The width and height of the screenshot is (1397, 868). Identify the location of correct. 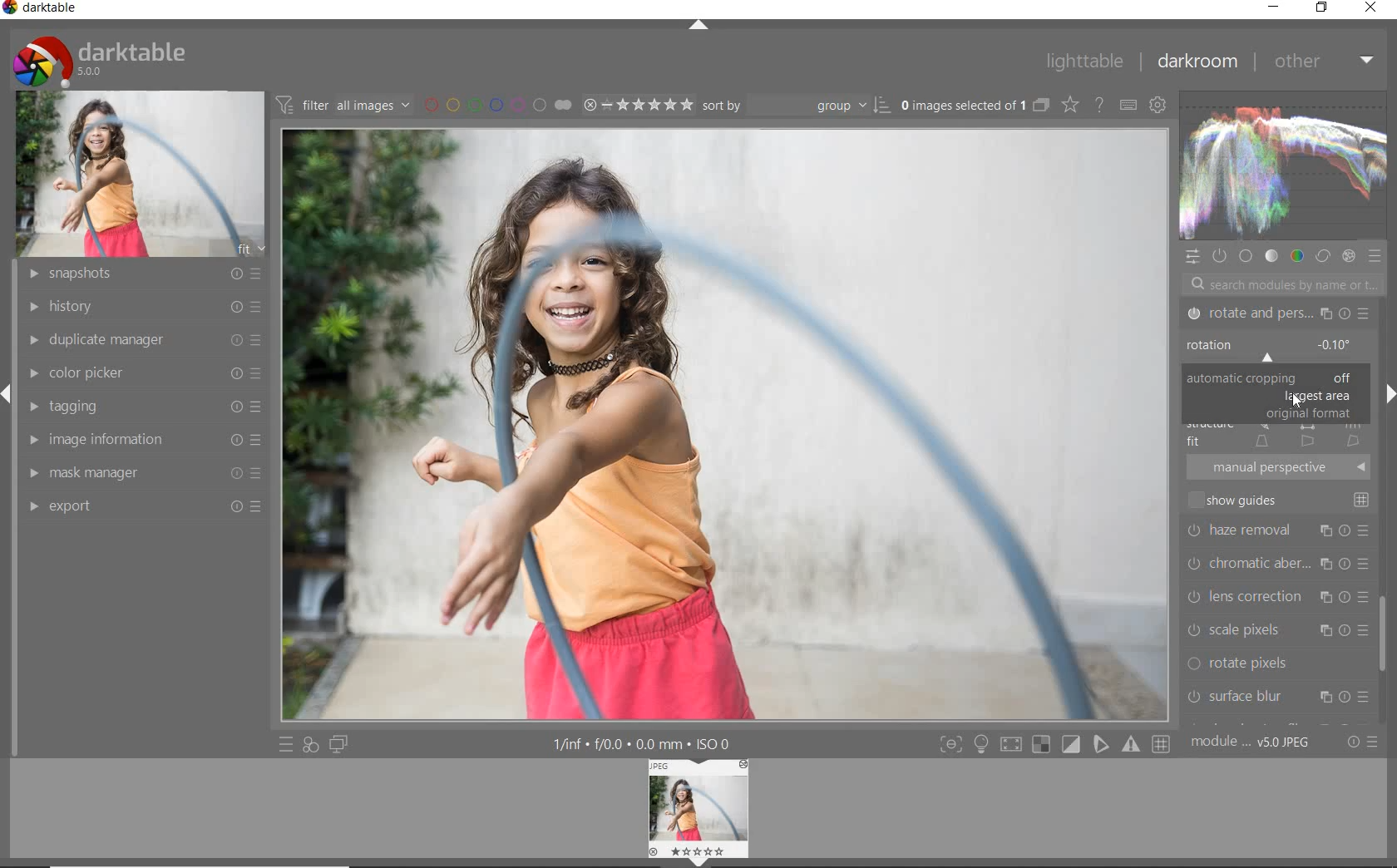
(1323, 258).